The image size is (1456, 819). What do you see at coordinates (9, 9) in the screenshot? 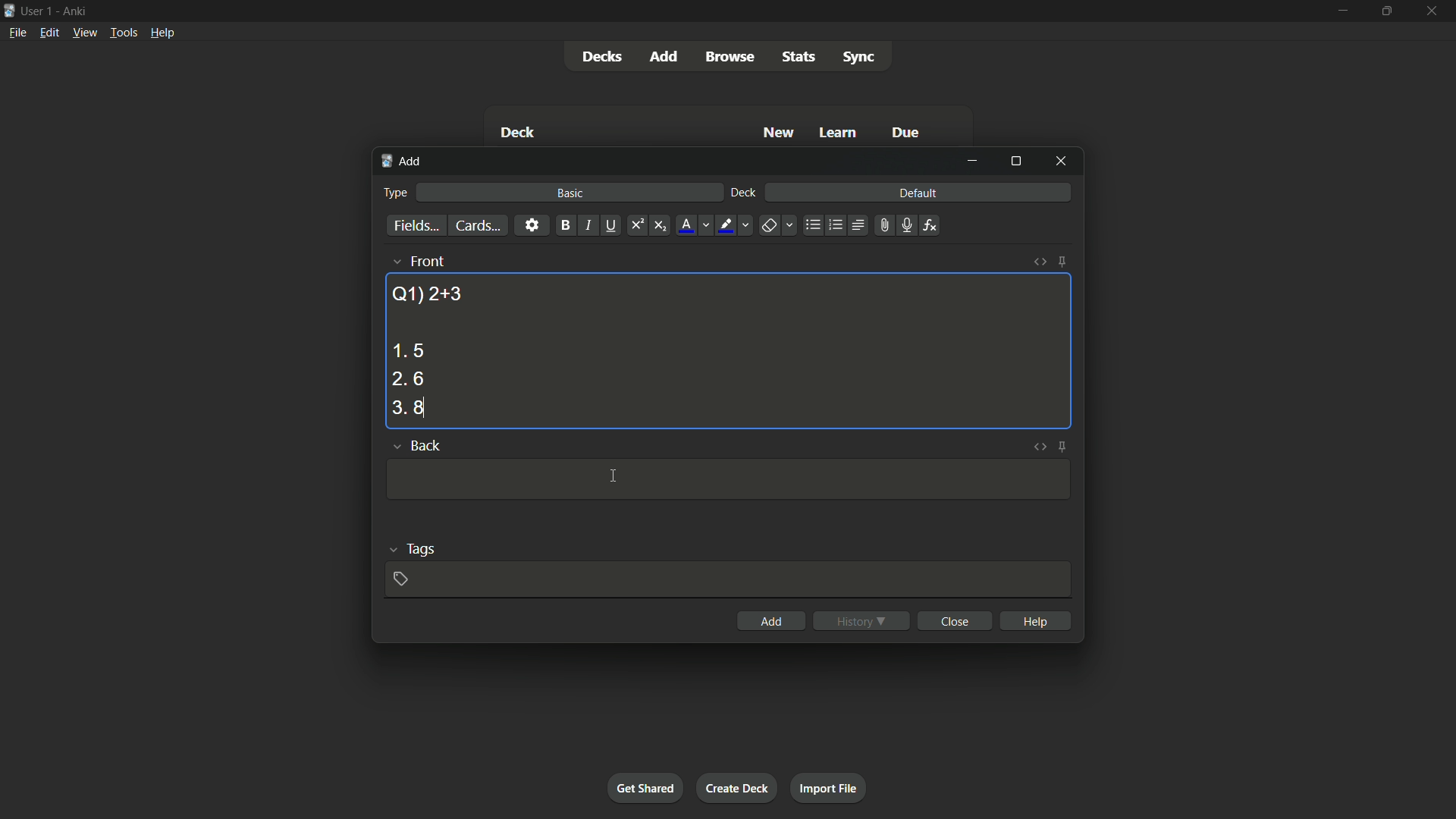
I see `app icon` at bounding box center [9, 9].